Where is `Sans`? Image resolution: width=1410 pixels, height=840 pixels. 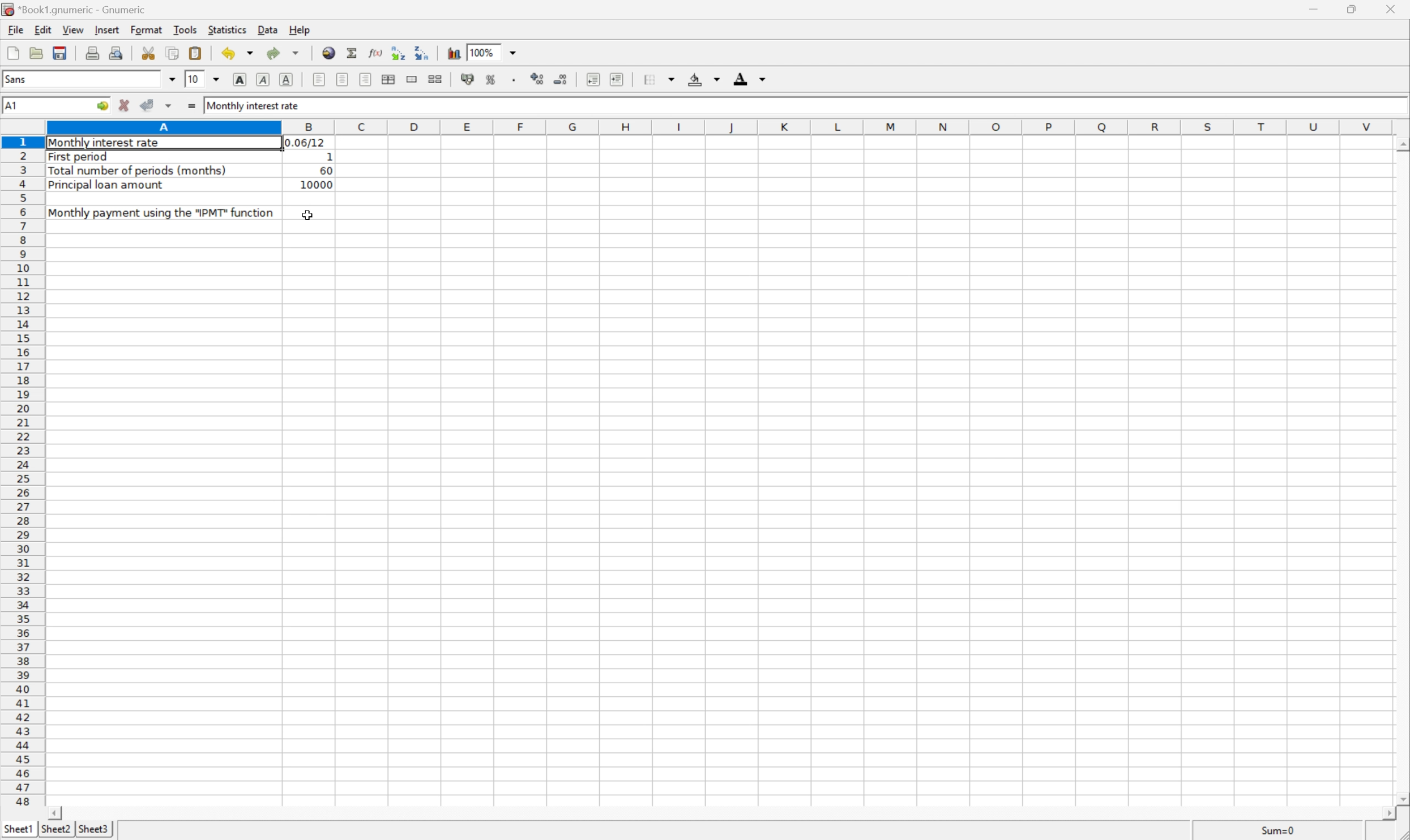 Sans is located at coordinates (16, 79).